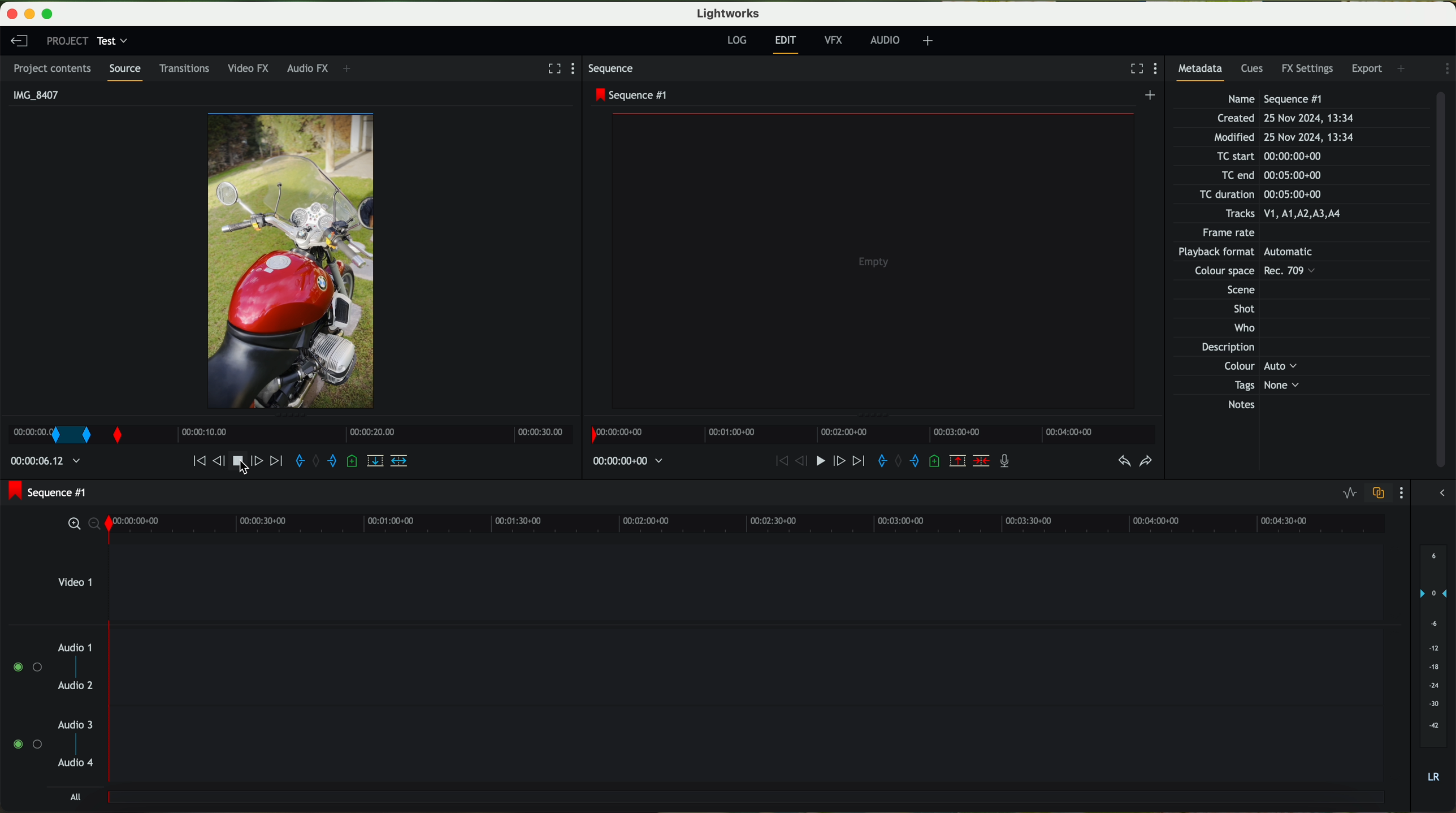 The width and height of the screenshot is (1456, 813). Describe the element at coordinates (301, 462) in the screenshot. I see `add an in mark` at that location.